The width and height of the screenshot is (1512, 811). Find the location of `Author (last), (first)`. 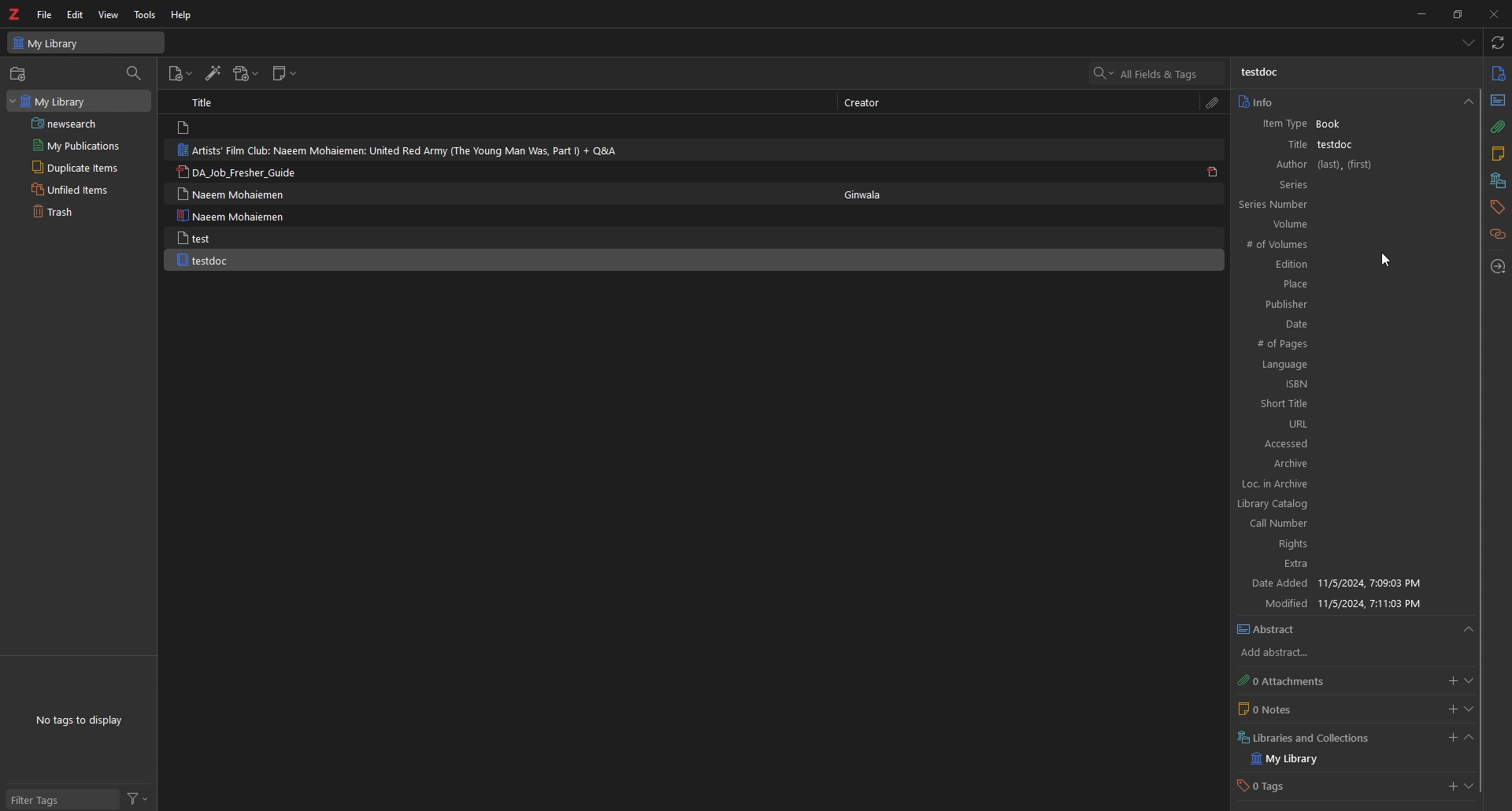

Author (last), (first) is located at coordinates (1359, 165).